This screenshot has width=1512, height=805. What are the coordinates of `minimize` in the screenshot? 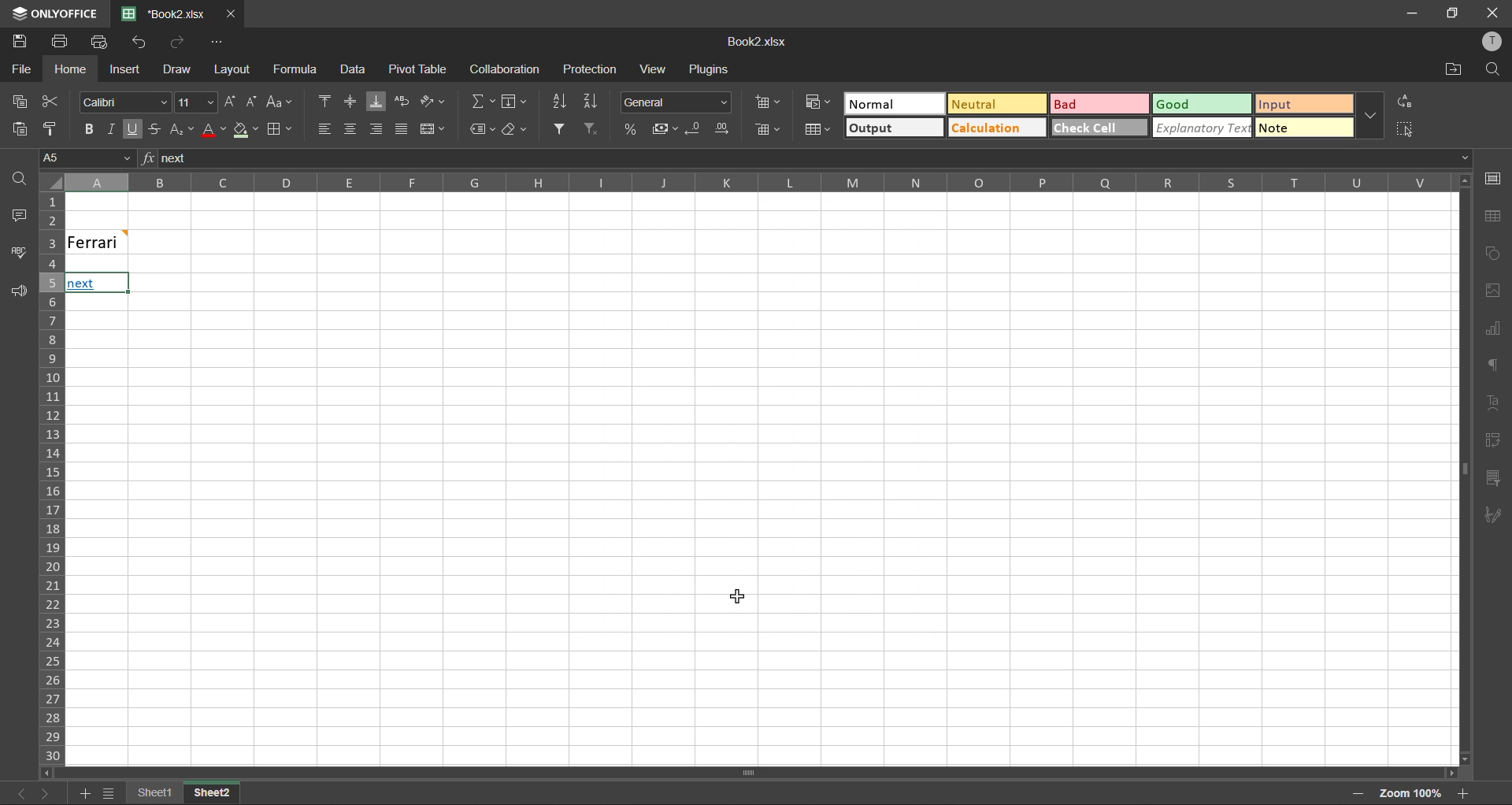 It's located at (1407, 13).